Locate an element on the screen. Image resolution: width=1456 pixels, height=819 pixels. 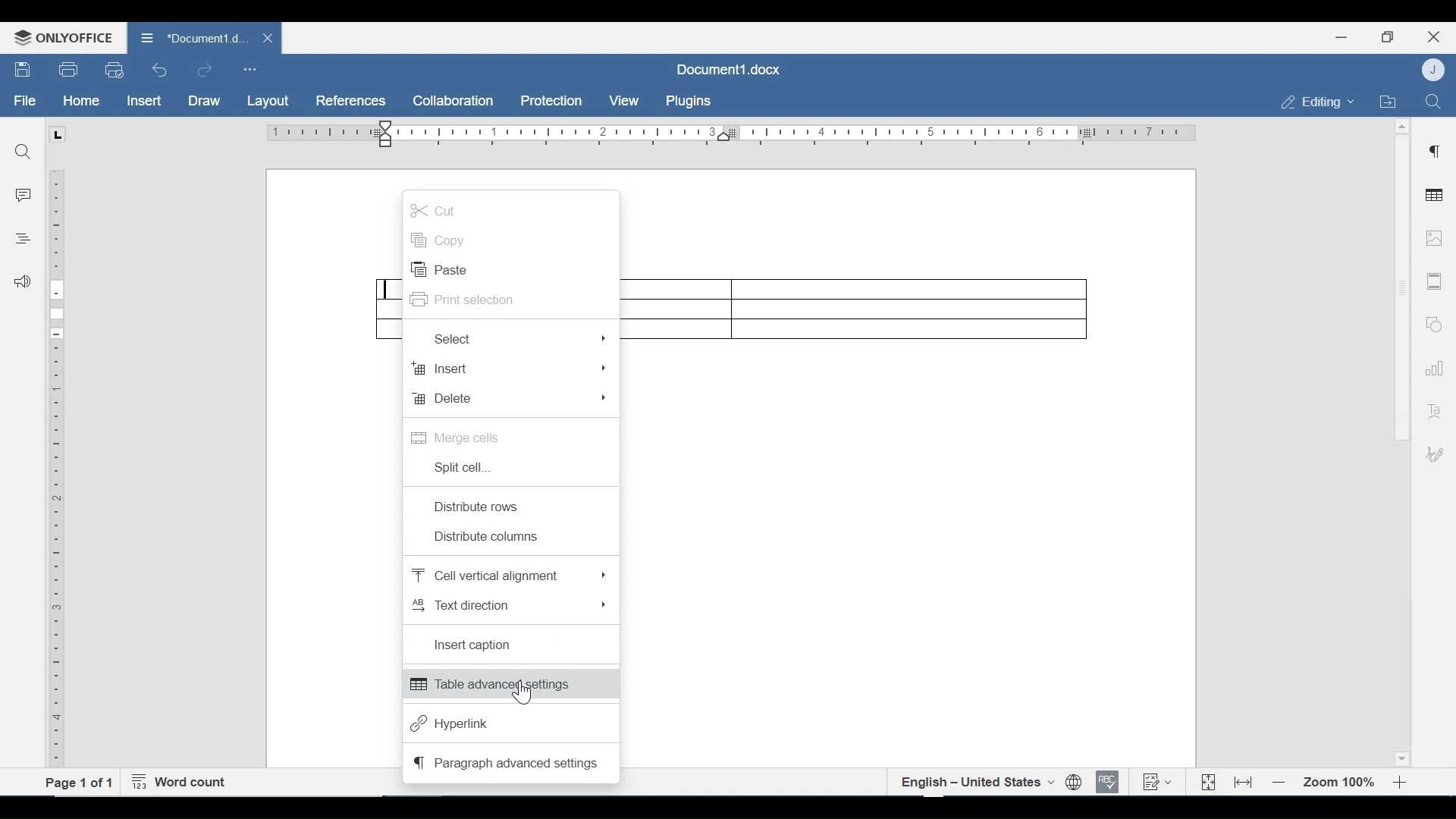
Cut is located at coordinates (435, 209).